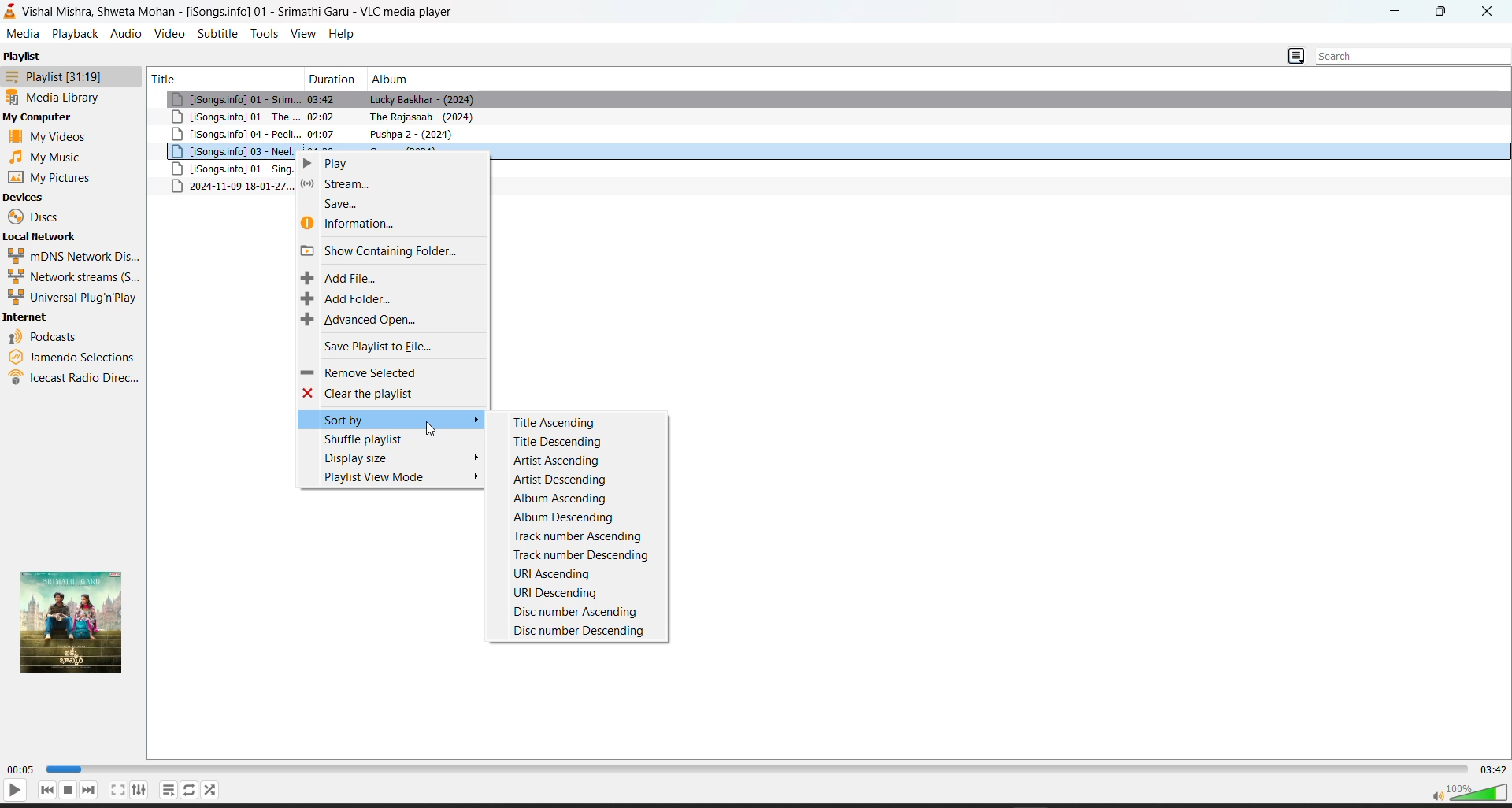 The image size is (1512, 808). Describe the element at coordinates (52, 336) in the screenshot. I see `podcast` at that location.